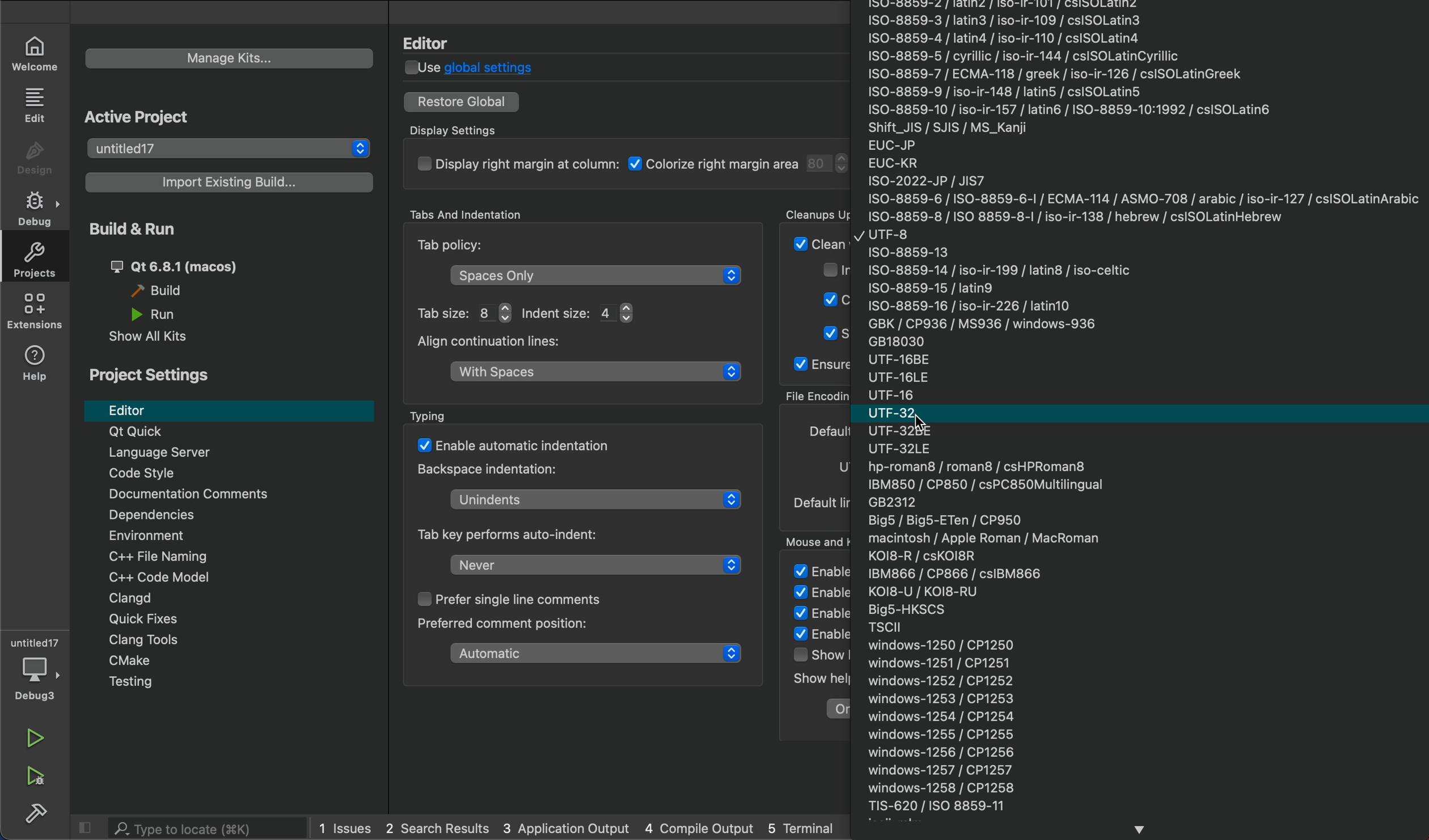 The width and height of the screenshot is (1429, 840). Describe the element at coordinates (147, 116) in the screenshot. I see `Active Project` at that location.